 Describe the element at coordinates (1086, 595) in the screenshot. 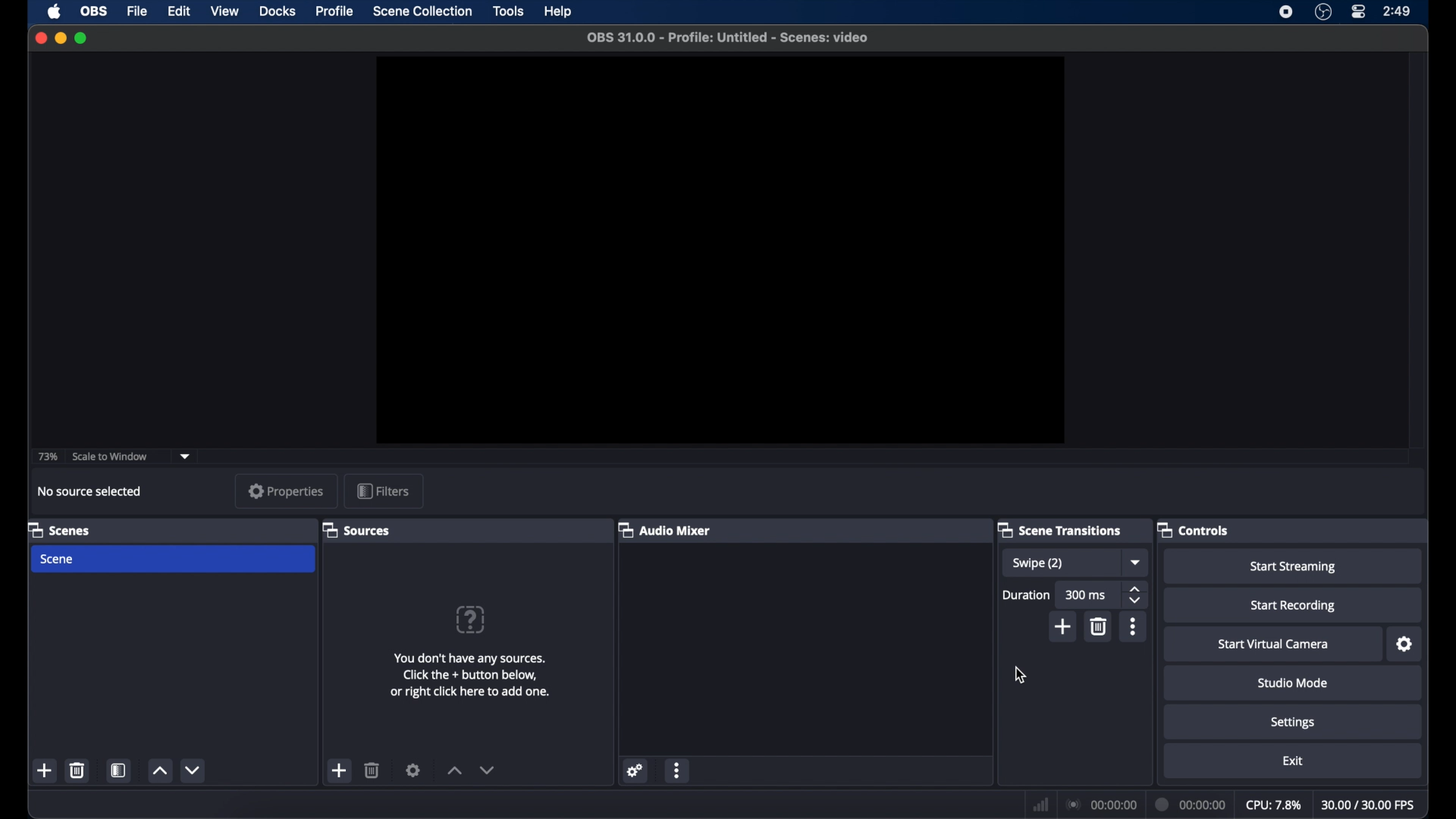

I see `300 ms` at that location.